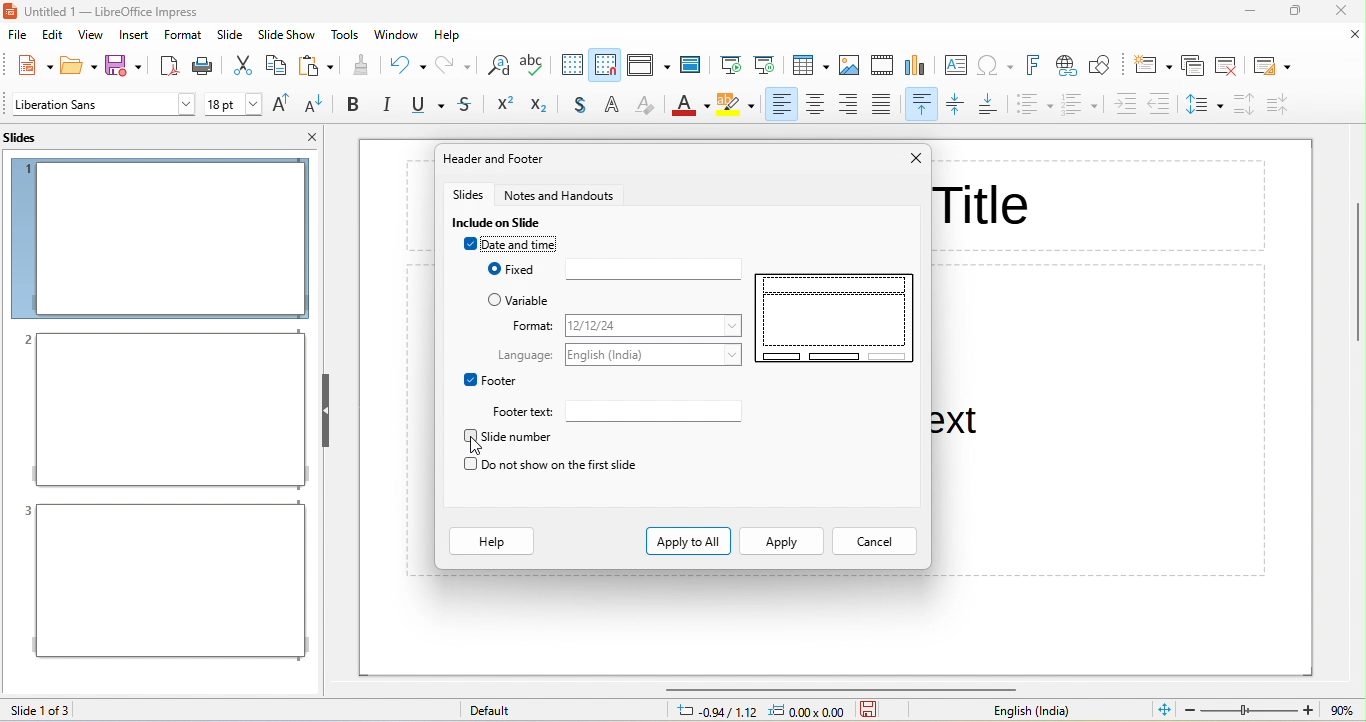  Describe the element at coordinates (852, 105) in the screenshot. I see `align right` at that location.